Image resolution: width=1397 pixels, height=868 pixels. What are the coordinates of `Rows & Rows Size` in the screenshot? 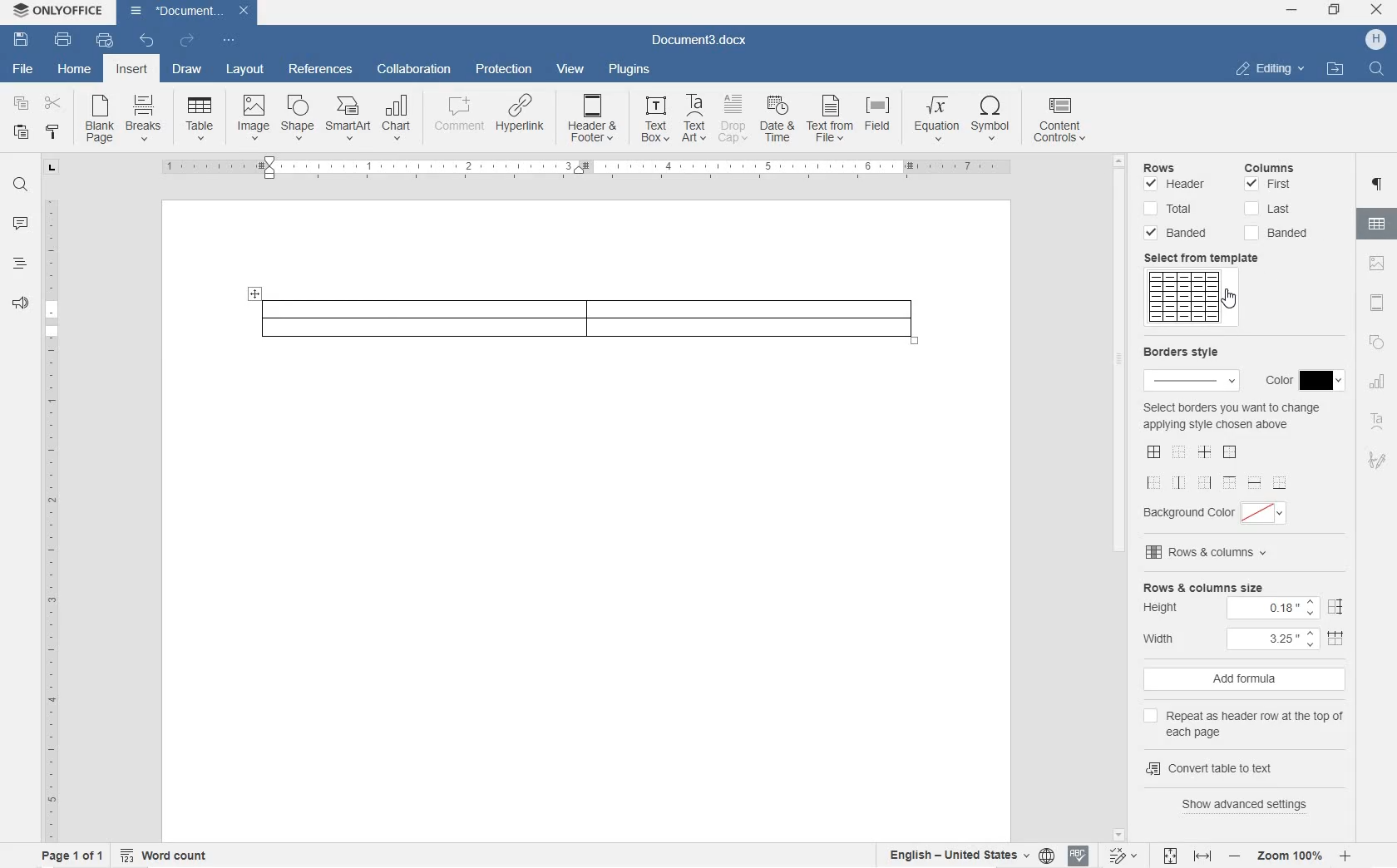 It's located at (1249, 587).